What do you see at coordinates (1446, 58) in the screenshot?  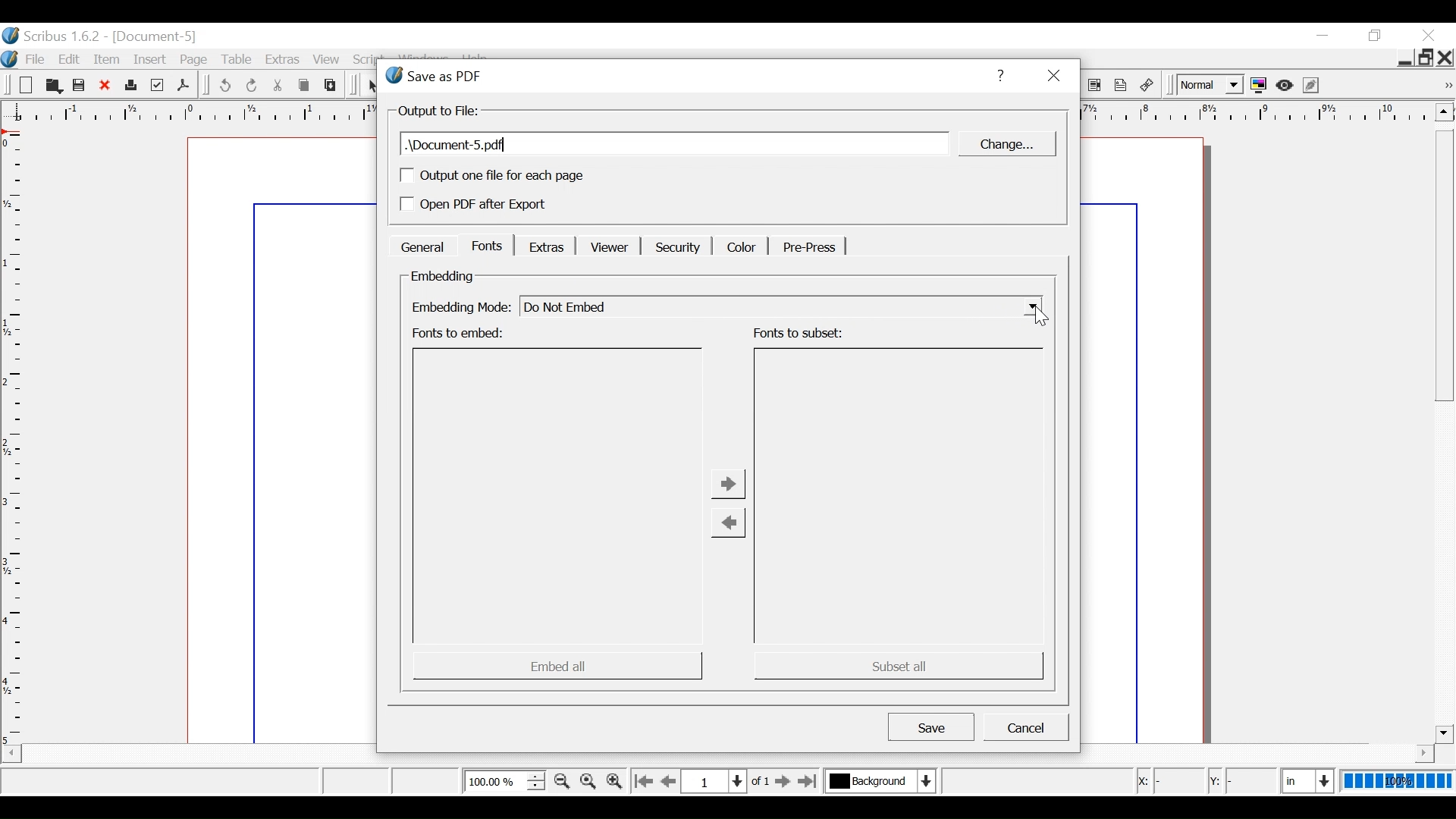 I see `Close` at bounding box center [1446, 58].